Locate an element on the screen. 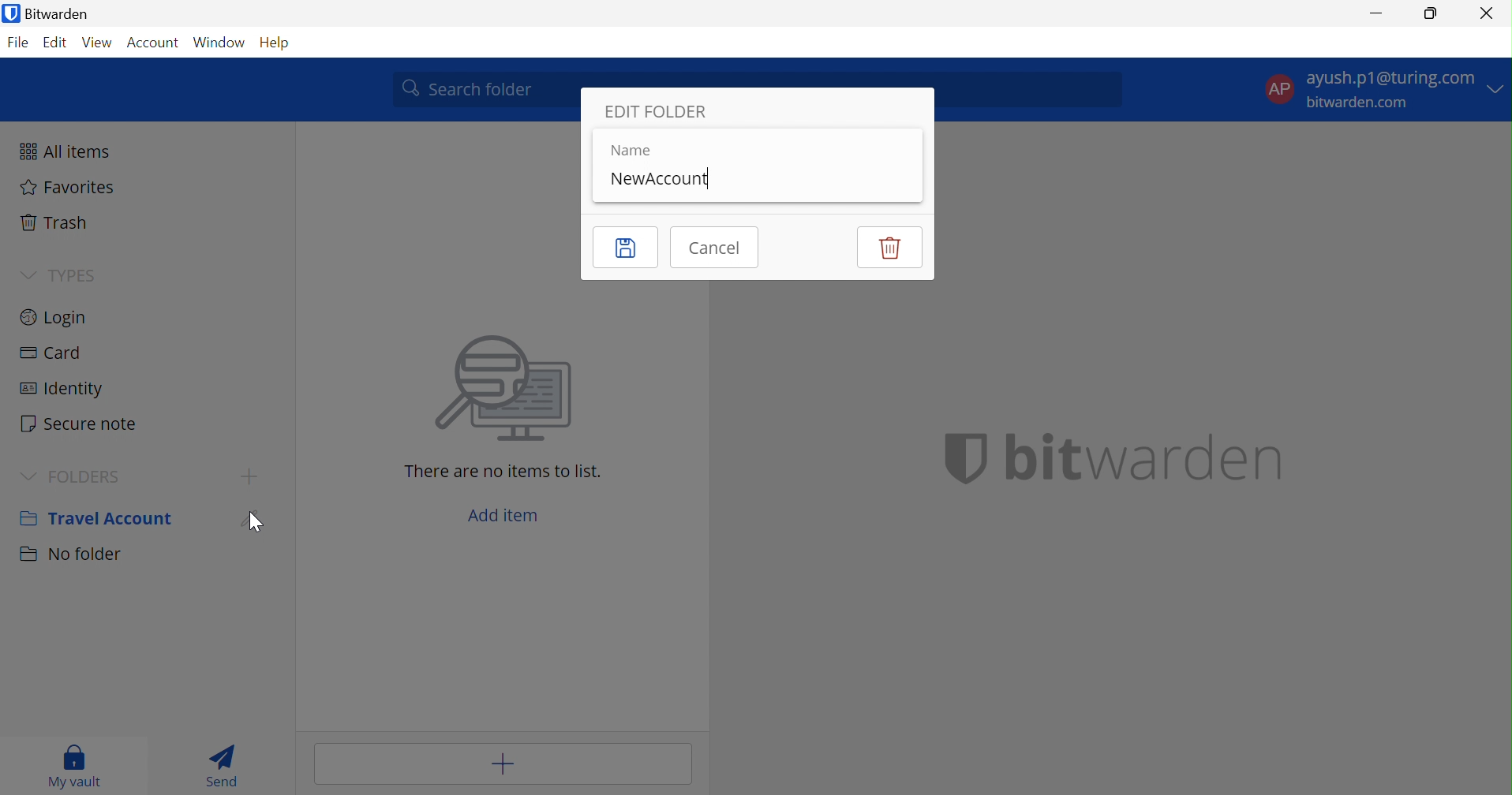 The height and width of the screenshot is (795, 1512). Drop Down is located at coordinates (29, 474).